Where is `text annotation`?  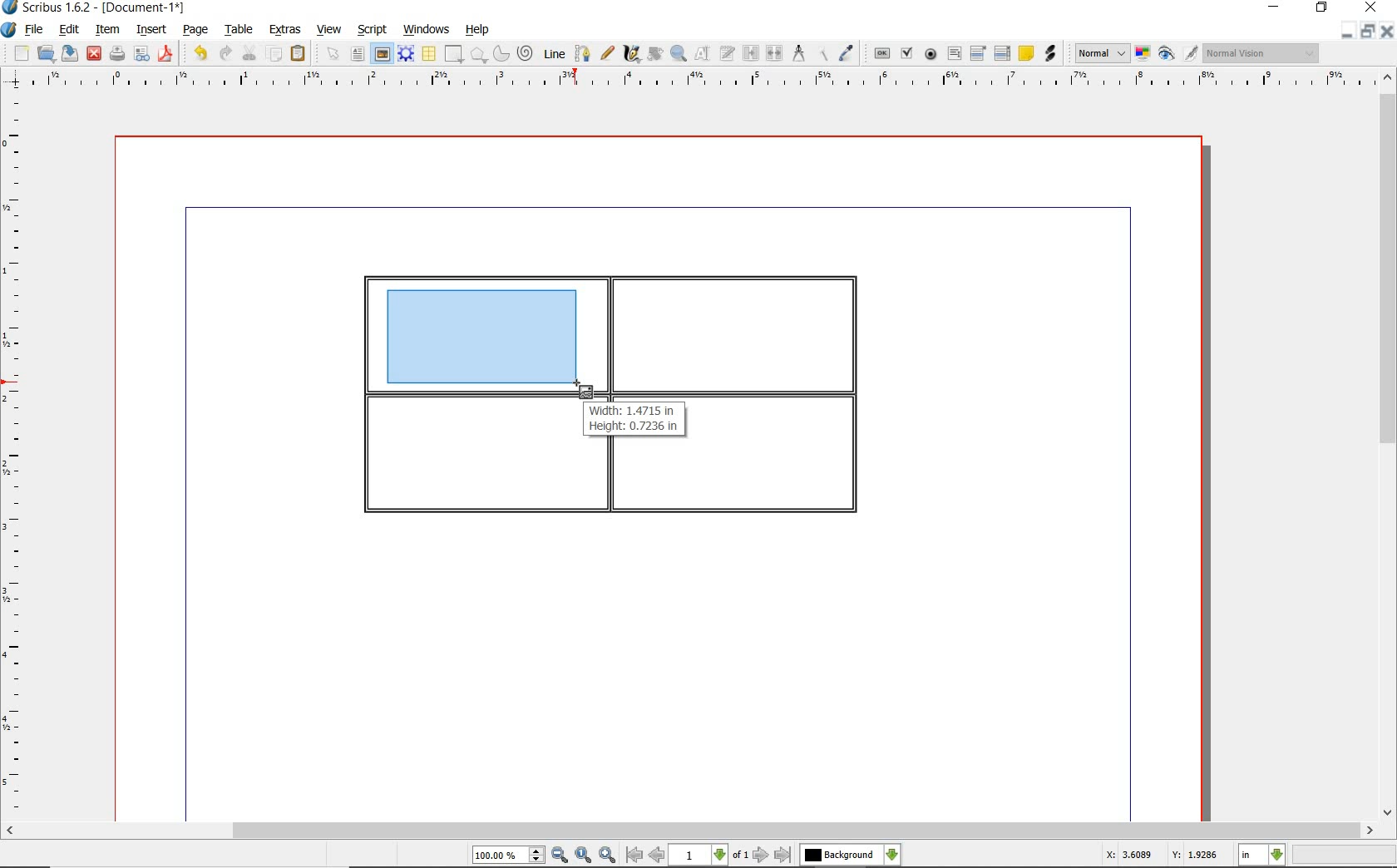 text annotation is located at coordinates (1027, 54).